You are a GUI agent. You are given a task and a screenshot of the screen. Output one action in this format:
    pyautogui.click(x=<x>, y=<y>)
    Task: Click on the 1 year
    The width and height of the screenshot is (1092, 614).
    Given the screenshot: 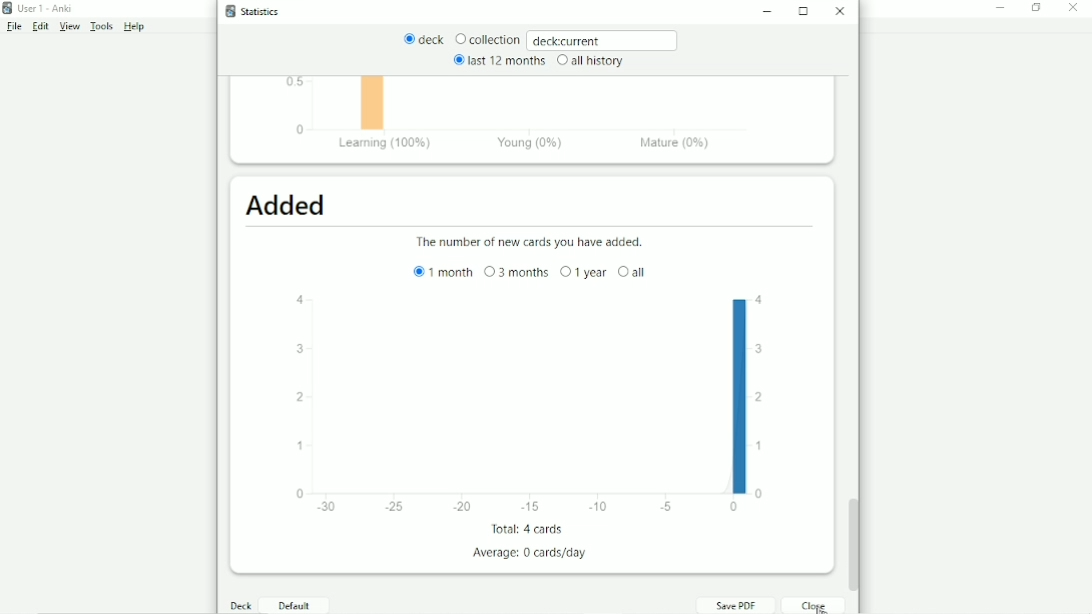 What is the action you would take?
    pyautogui.click(x=584, y=273)
    